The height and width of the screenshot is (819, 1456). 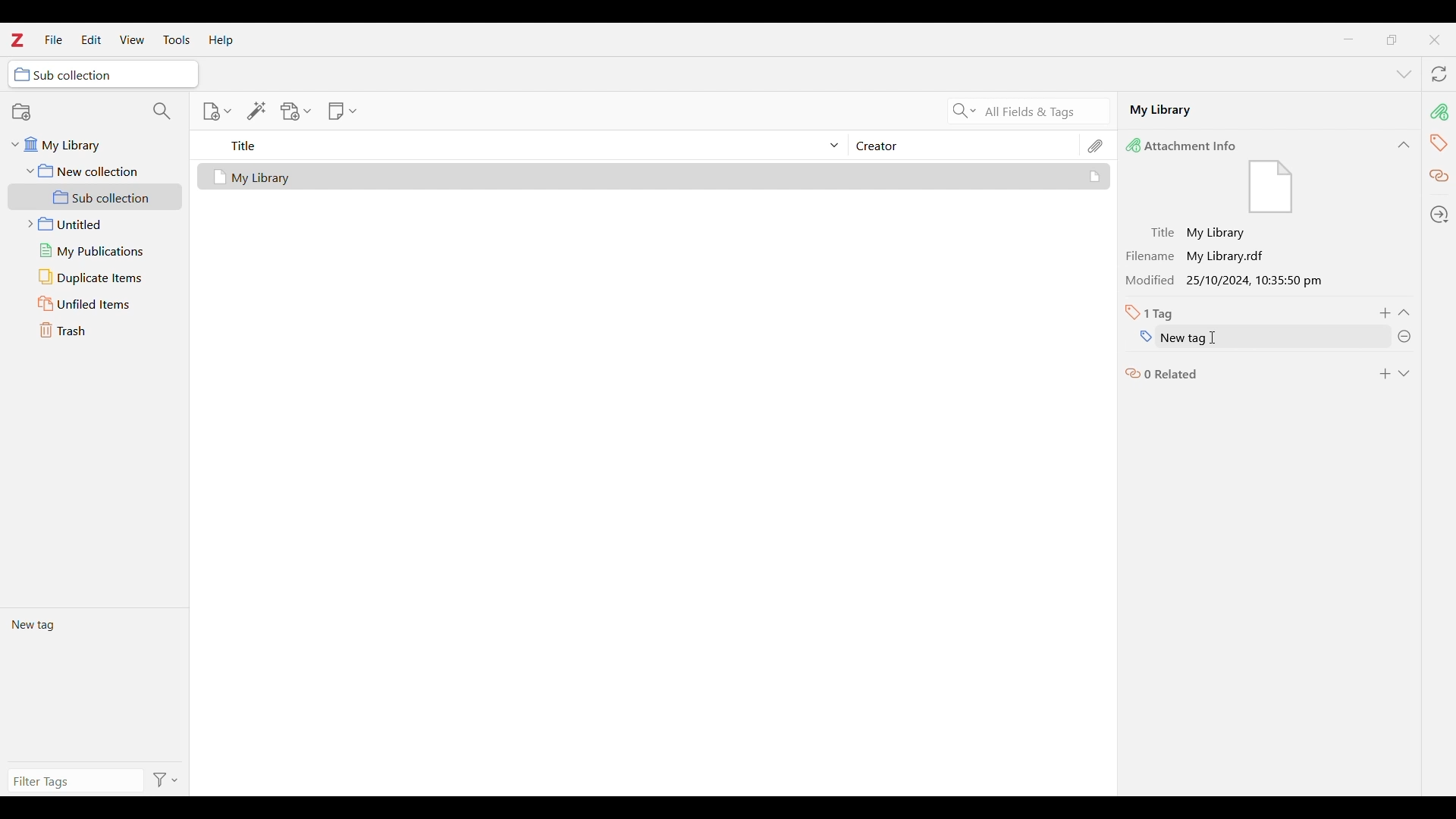 I want to click on Tools menu, so click(x=177, y=39).